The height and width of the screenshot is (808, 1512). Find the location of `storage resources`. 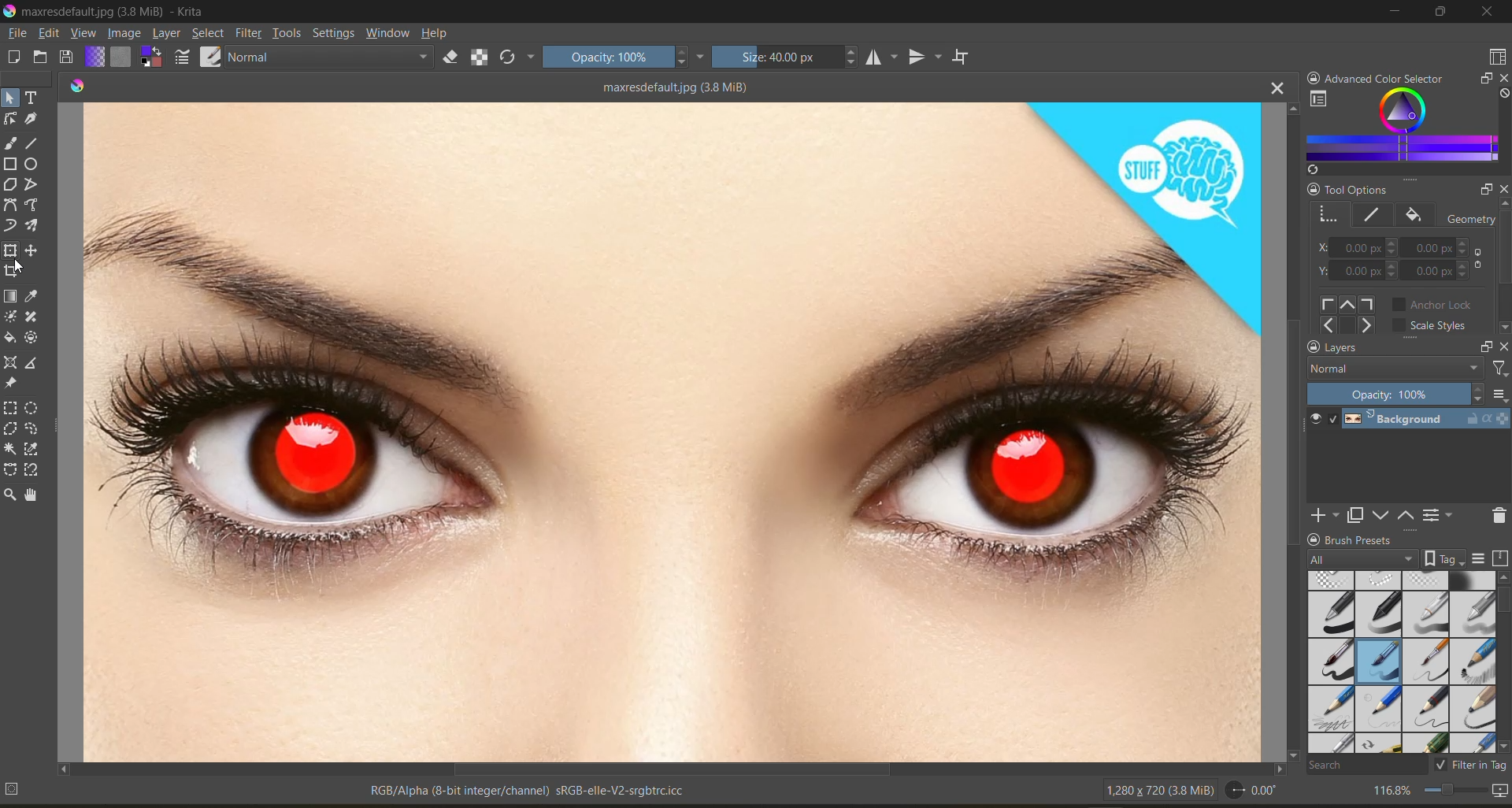

storage resources is located at coordinates (1499, 558).